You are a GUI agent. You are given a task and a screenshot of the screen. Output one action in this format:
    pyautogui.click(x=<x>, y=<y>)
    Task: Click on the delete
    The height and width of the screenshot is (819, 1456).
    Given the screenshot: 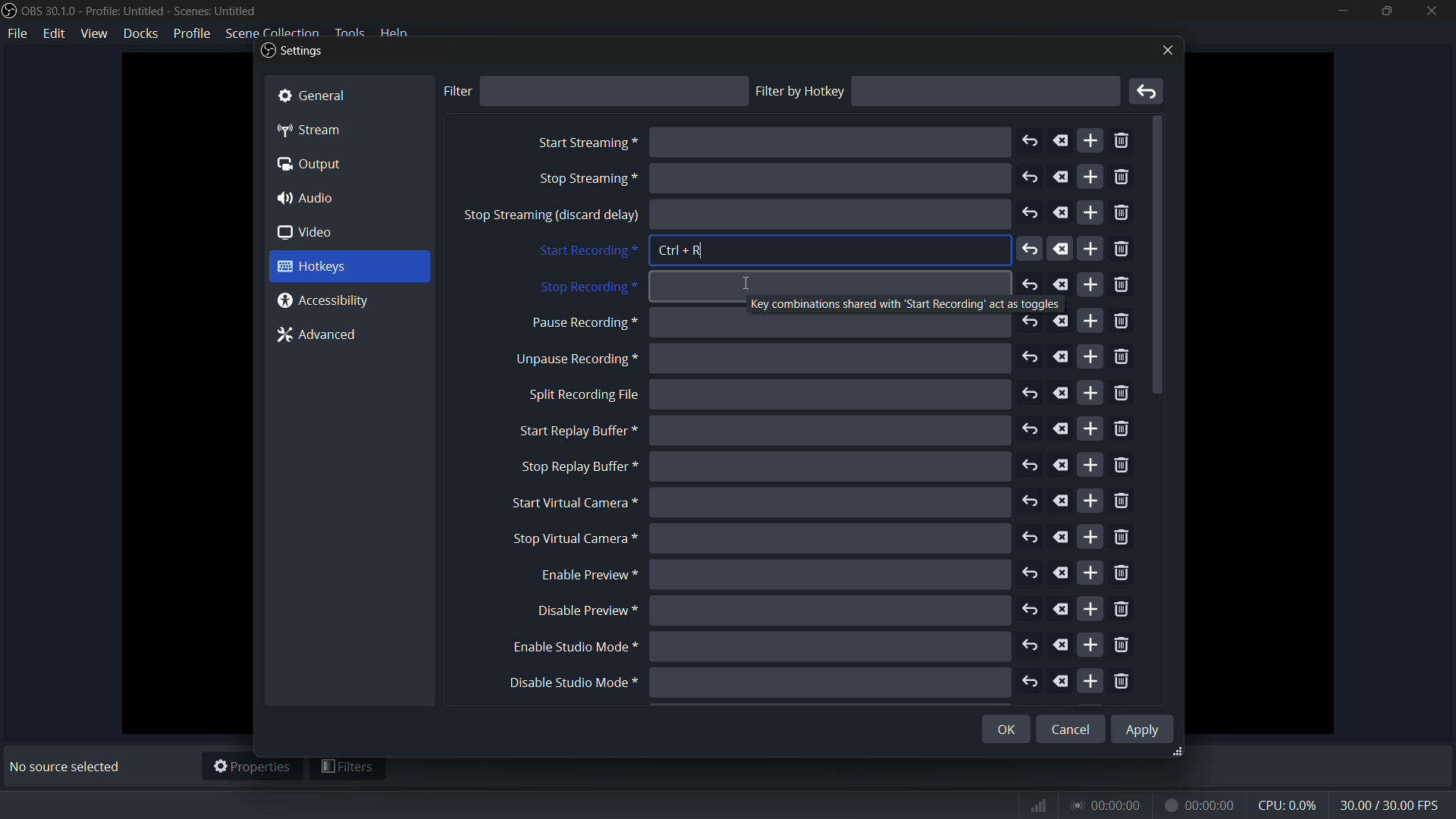 What is the action you would take?
    pyautogui.click(x=1062, y=574)
    